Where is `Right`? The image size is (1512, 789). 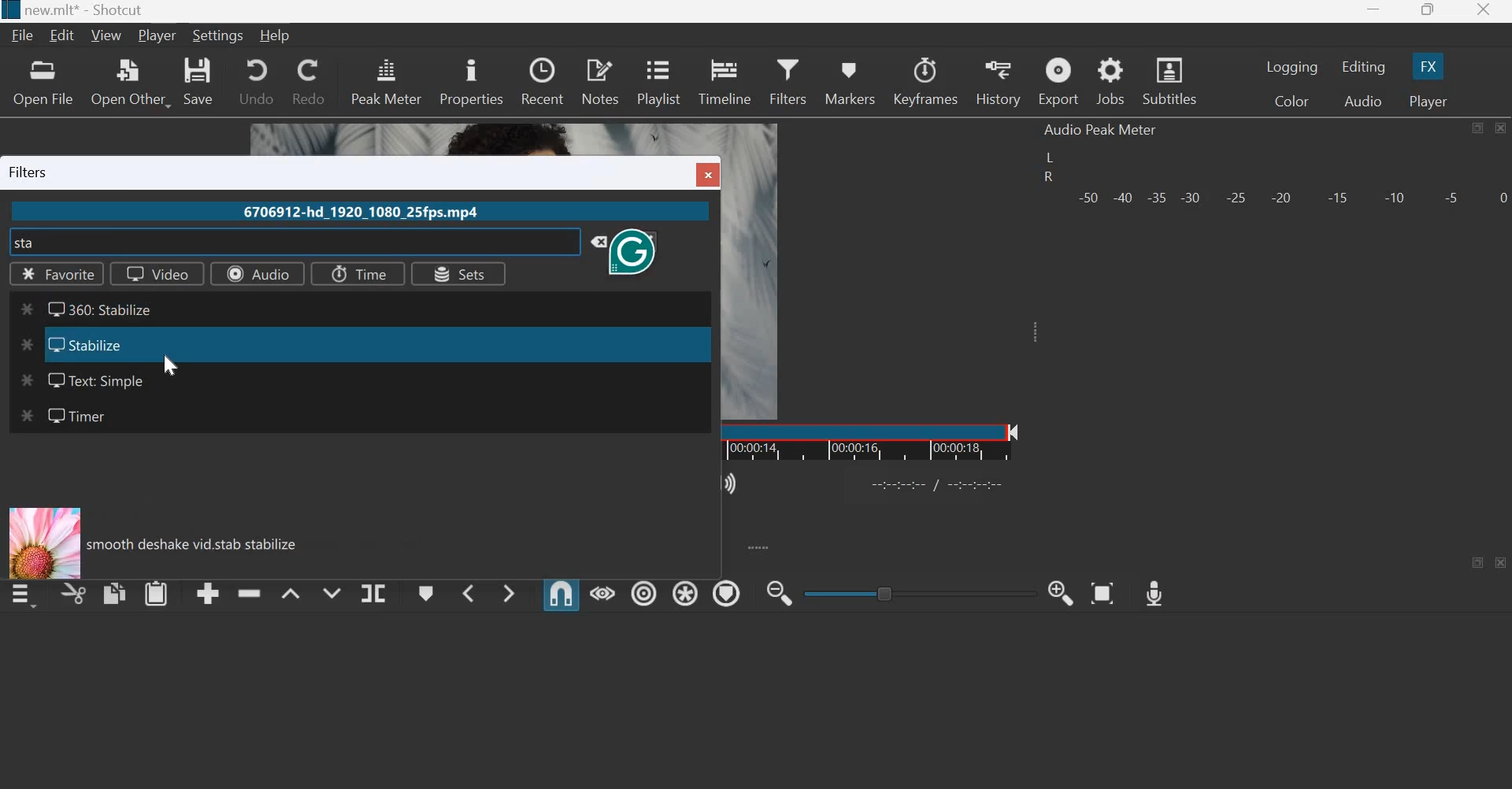
Right is located at coordinates (1047, 178).